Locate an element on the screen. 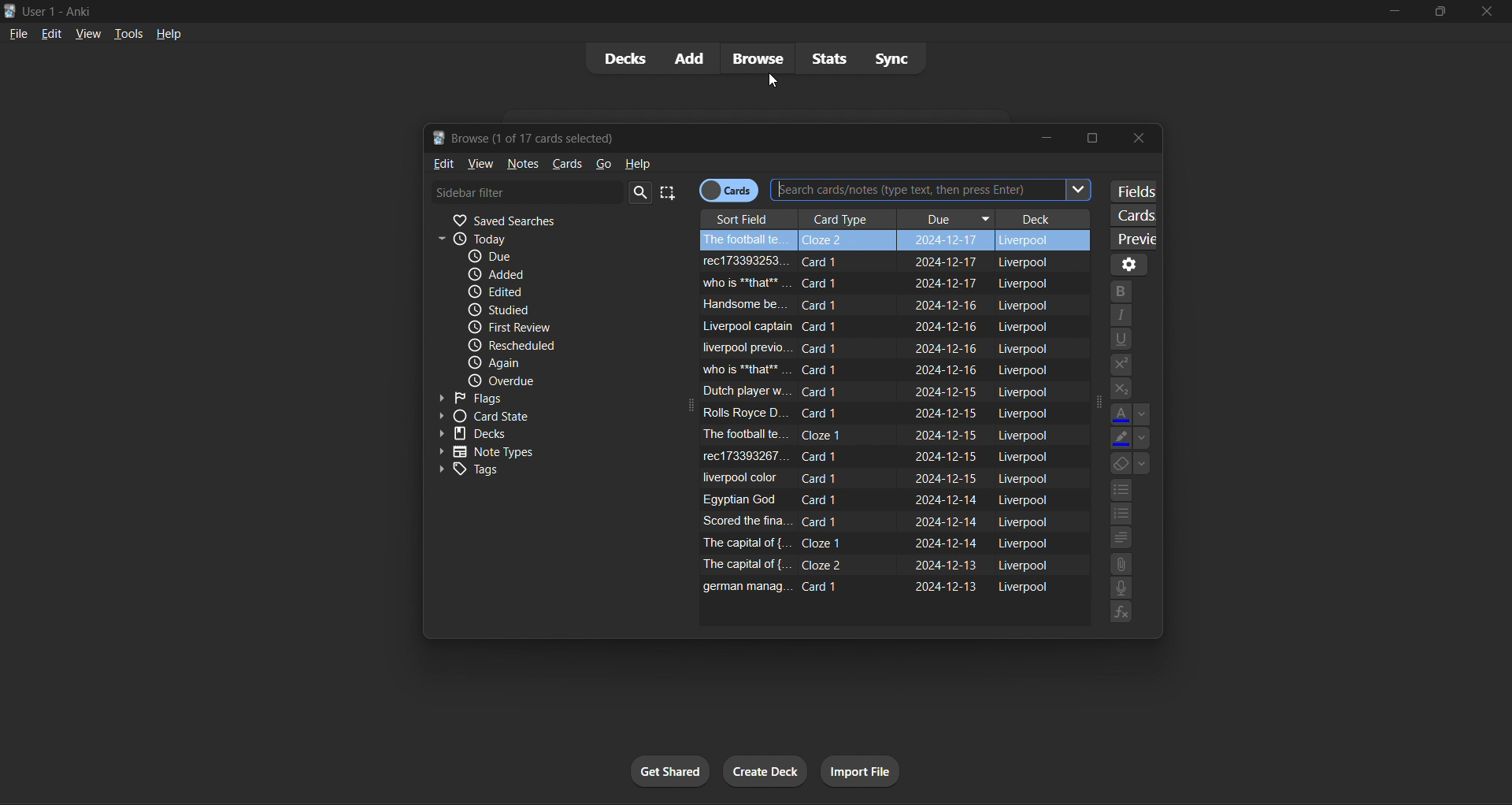 This screenshot has width=1512, height=805. again is located at coordinates (547, 363).